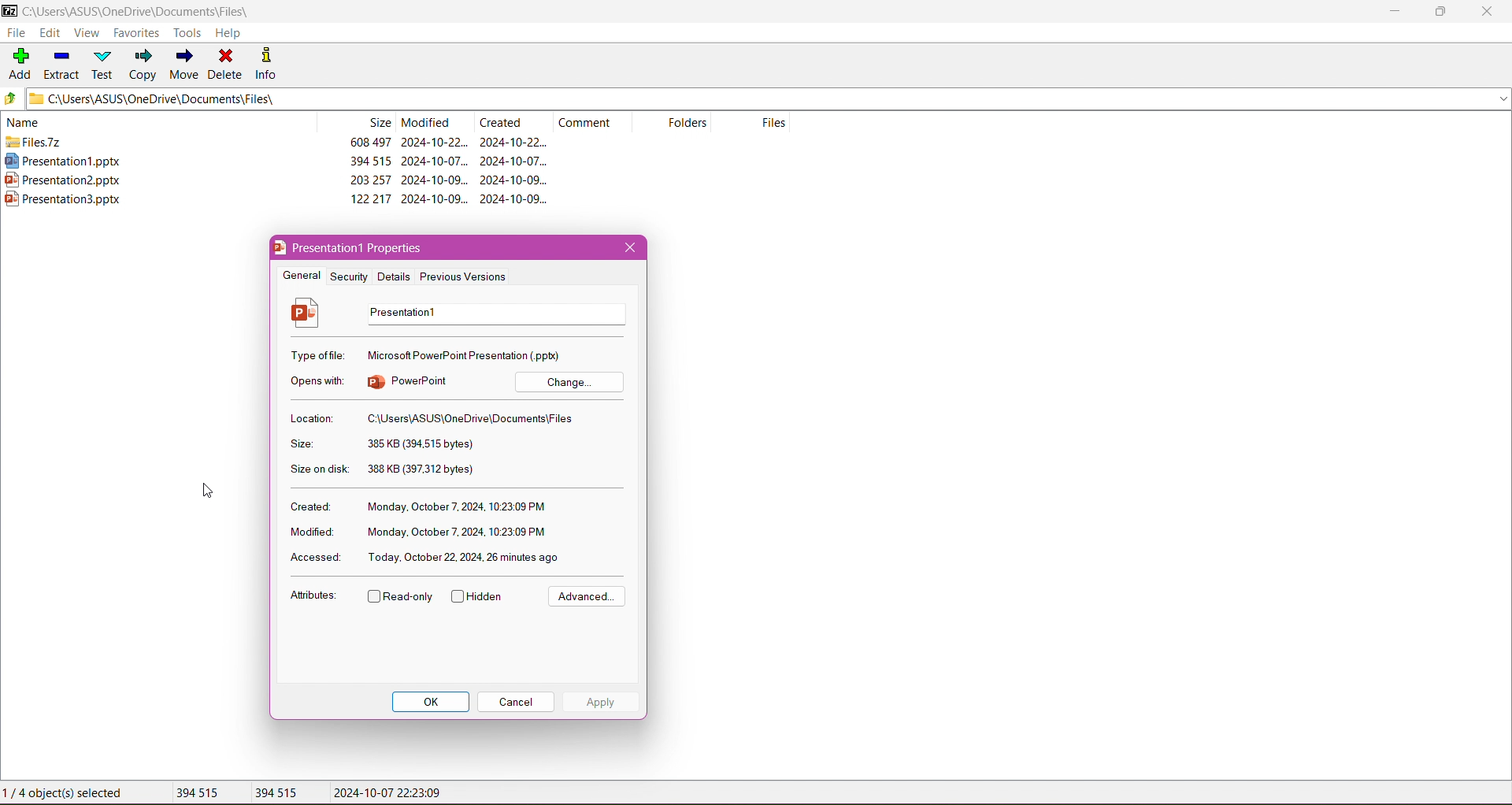  I want to click on 2024-10-22, so click(435, 142).